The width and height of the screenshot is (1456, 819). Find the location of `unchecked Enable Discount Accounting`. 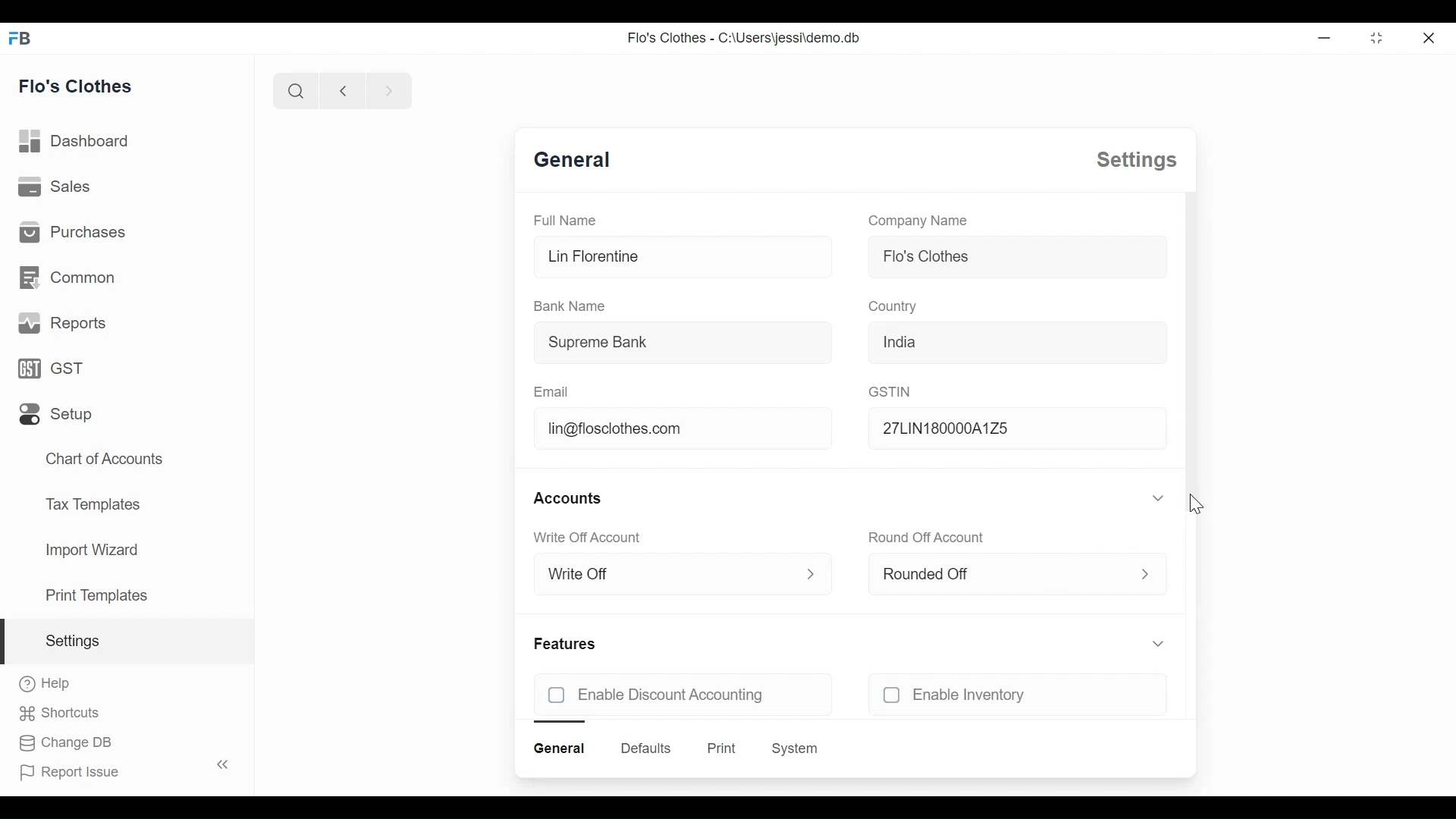

unchecked Enable Discount Accounting is located at coordinates (654, 695).